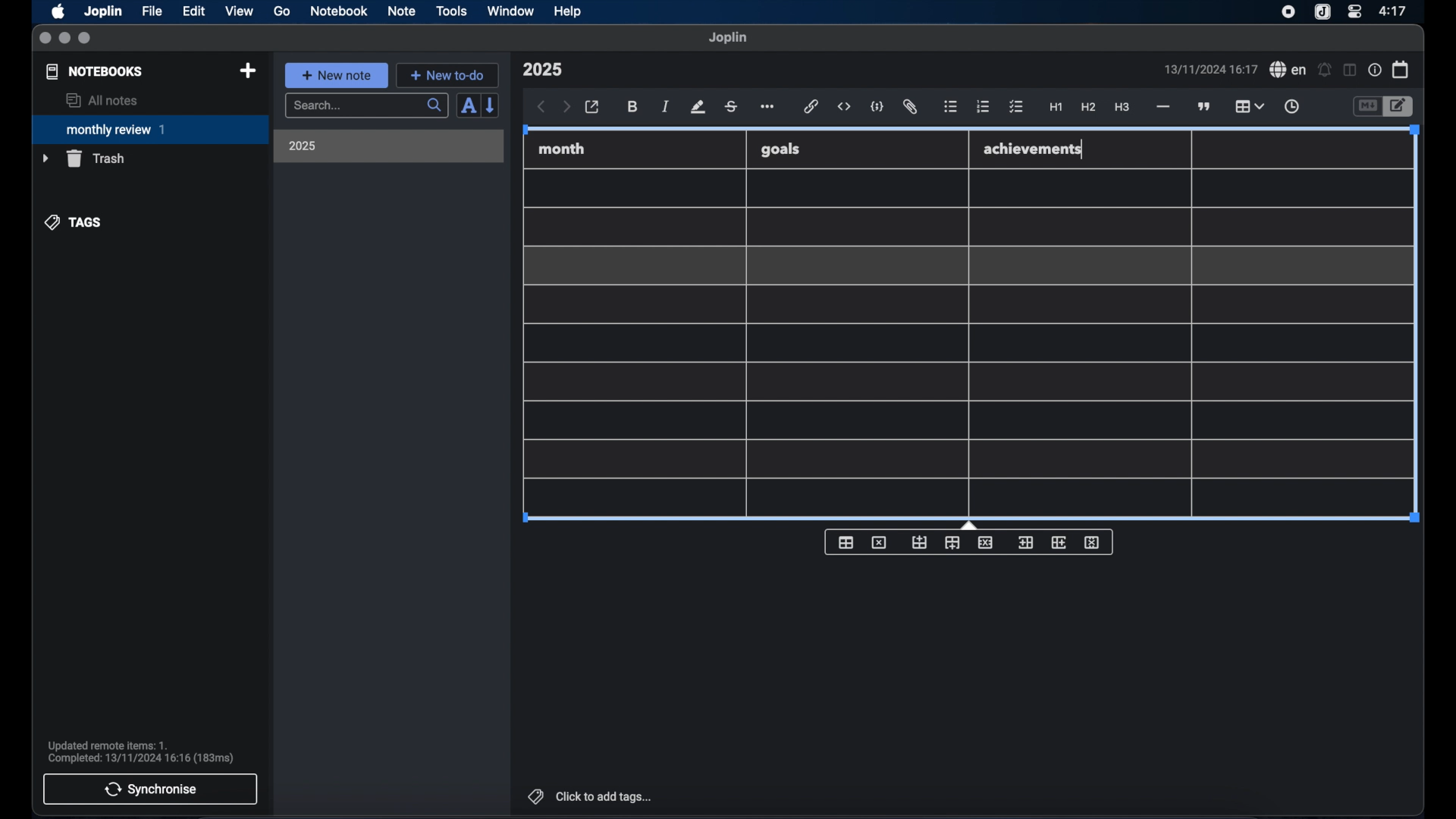  What do you see at coordinates (562, 149) in the screenshot?
I see `month` at bounding box center [562, 149].